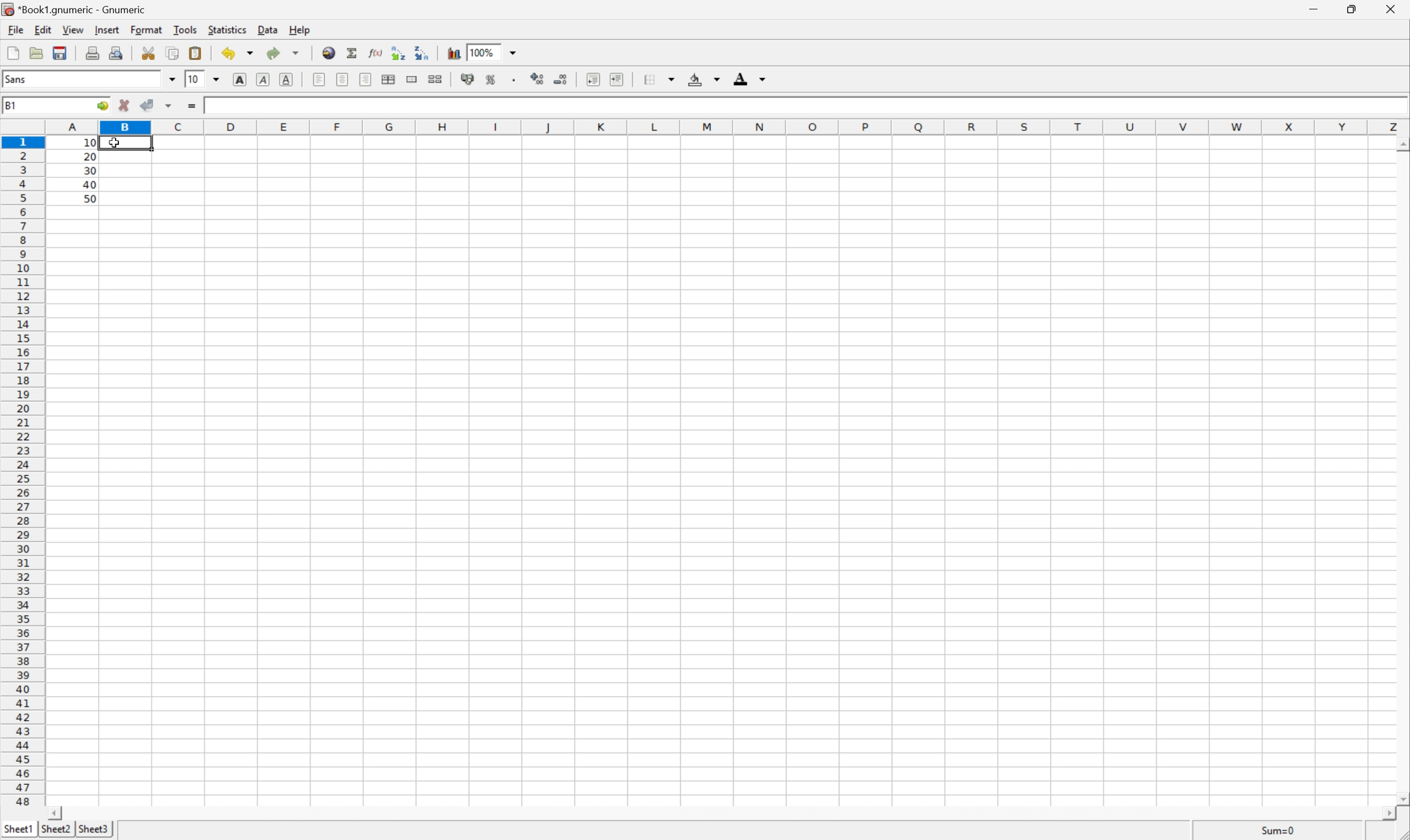 This screenshot has width=1410, height=840. I want to click on Set the format of the selected cells to include a thousands separator, so click(510, 80).